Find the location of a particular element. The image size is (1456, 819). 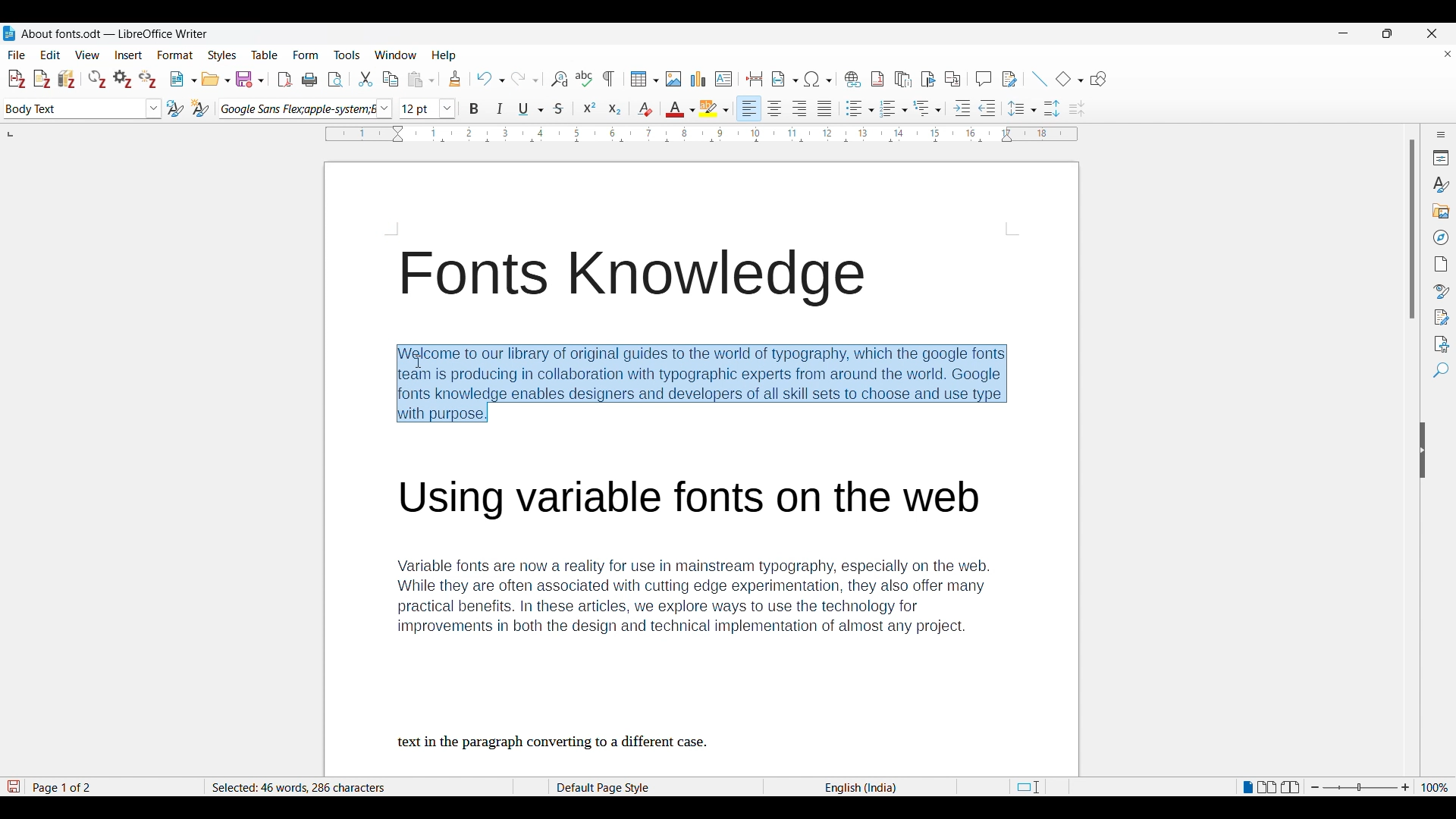

Standard selection is located at coordinates (1027, 787).